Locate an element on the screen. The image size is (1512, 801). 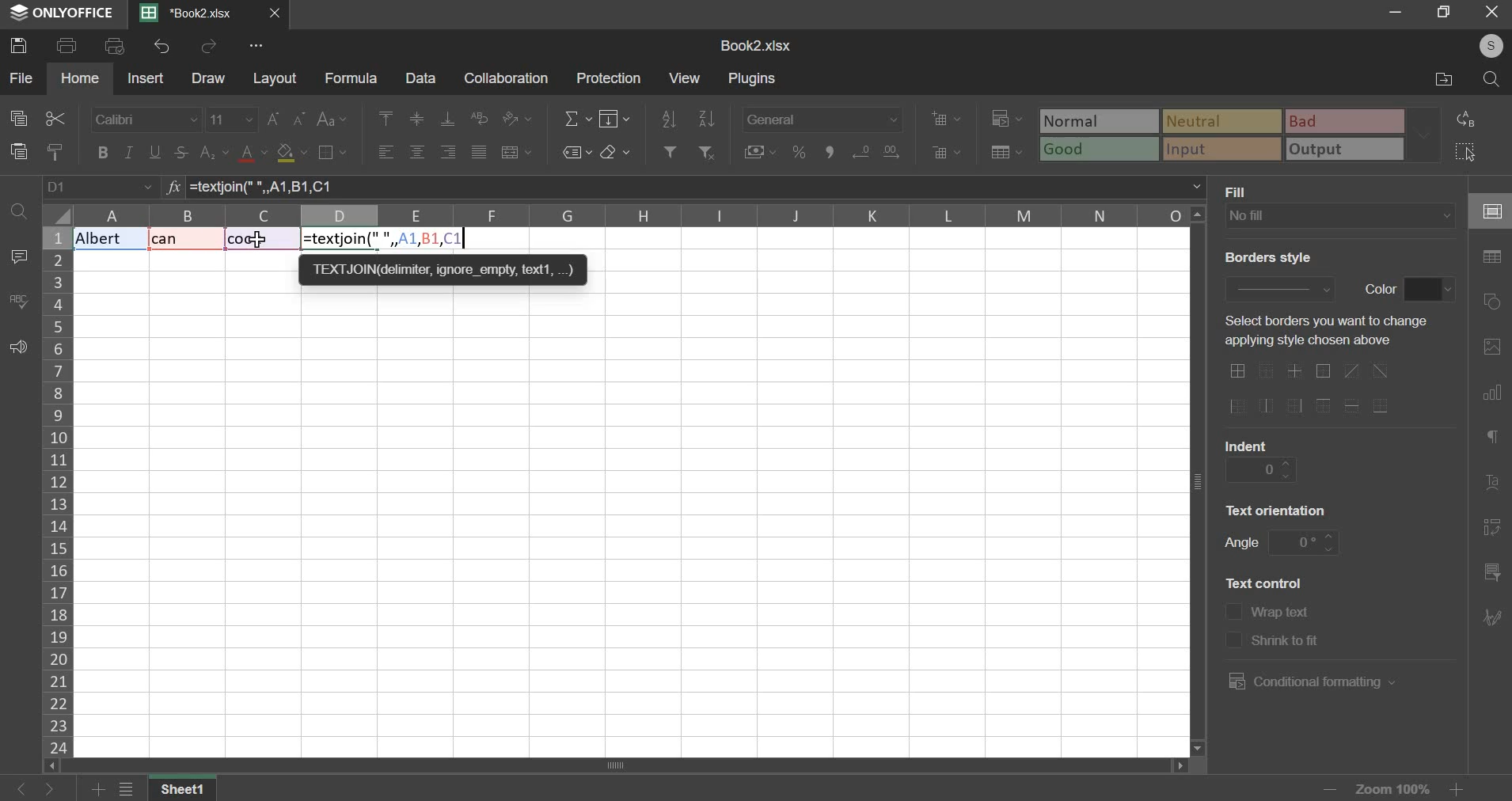
vertical scroll bar is located at coordinates (1201, 480).